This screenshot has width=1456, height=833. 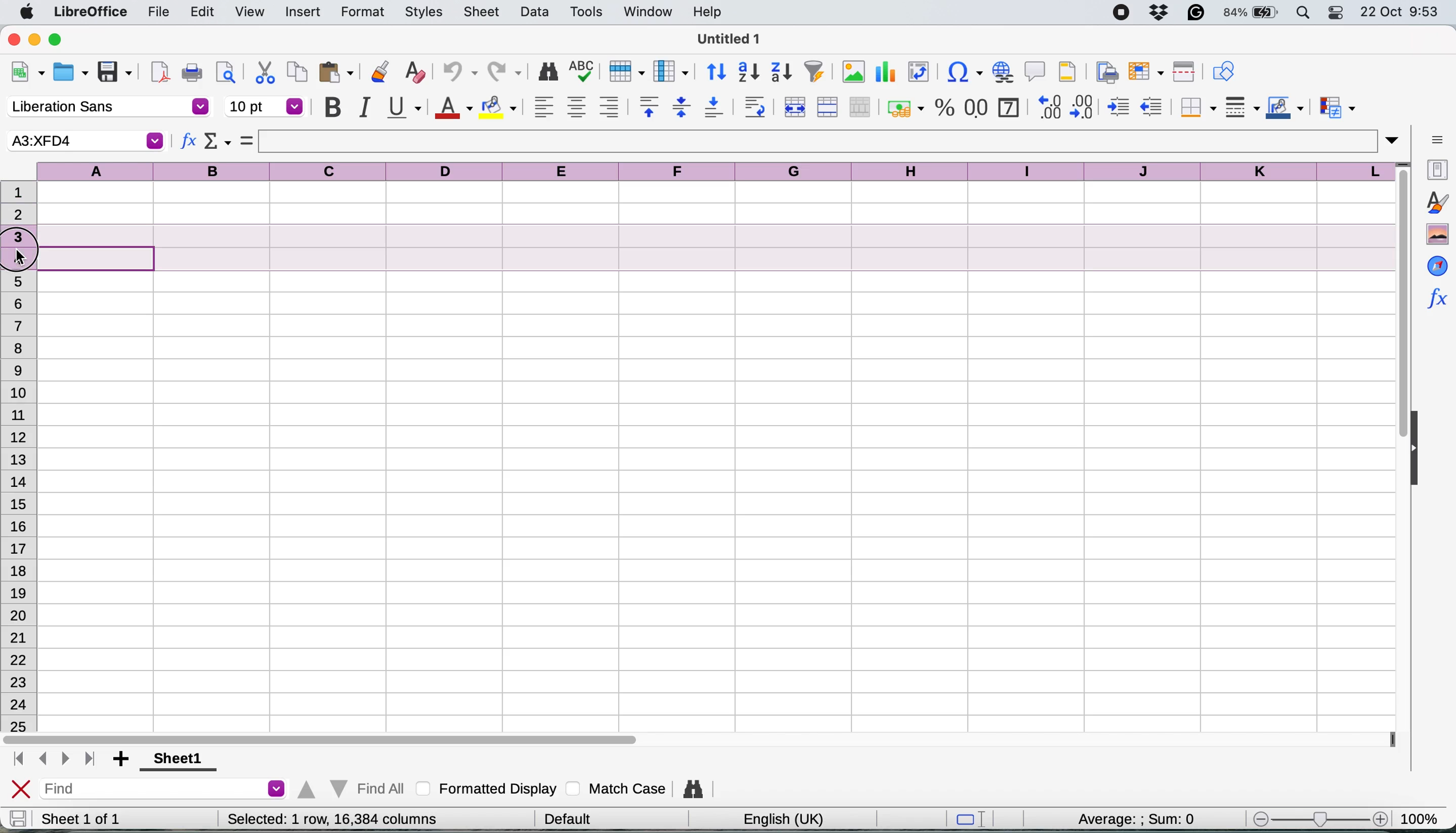 I want to click on maximise, so click(x=61, y=40).